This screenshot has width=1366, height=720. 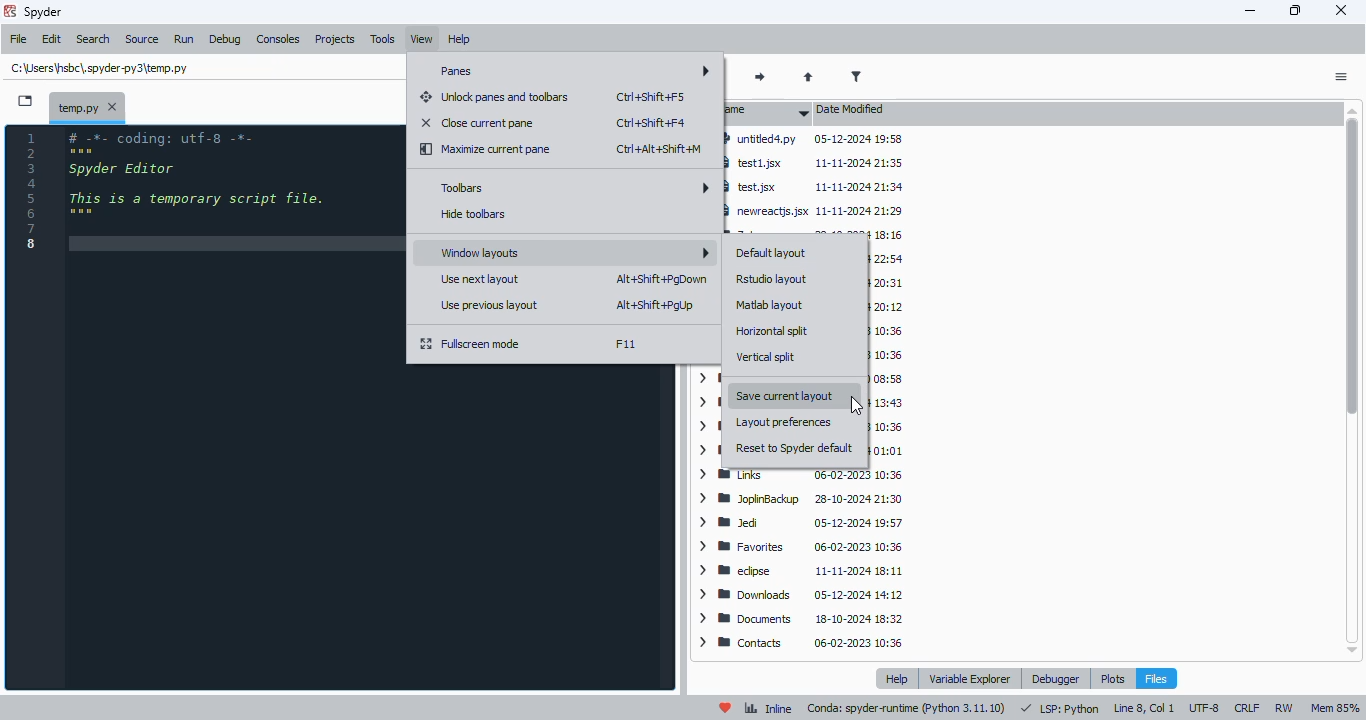 What do you see at coordinates (575, 188) in the screenshot?
I see `toolbars` at bounding box center [575, 188].